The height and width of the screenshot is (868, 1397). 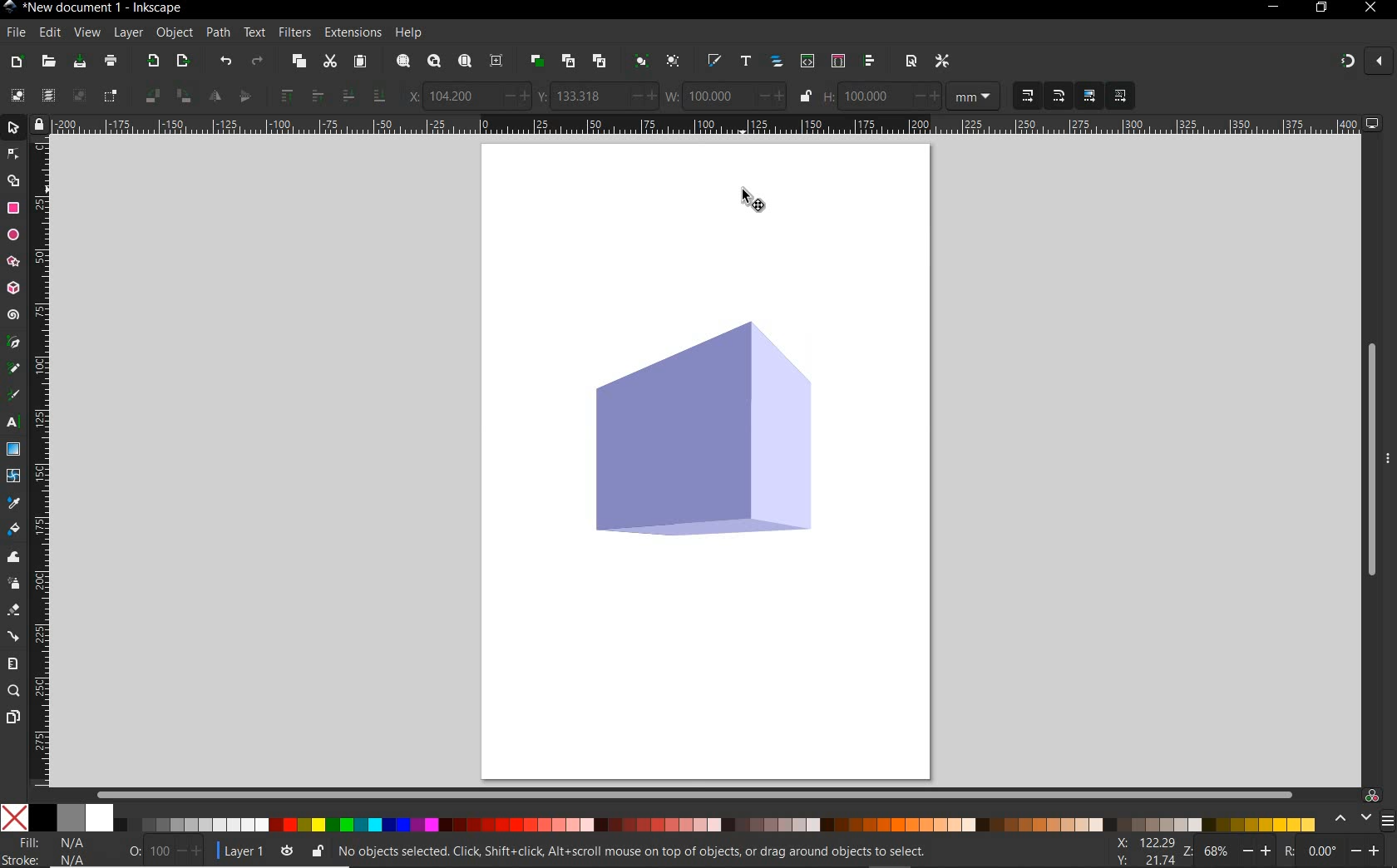 What do you see at coordinates (644, 849) in the screenshot?
I see `no objects selected` at bounding box center [644, 849].